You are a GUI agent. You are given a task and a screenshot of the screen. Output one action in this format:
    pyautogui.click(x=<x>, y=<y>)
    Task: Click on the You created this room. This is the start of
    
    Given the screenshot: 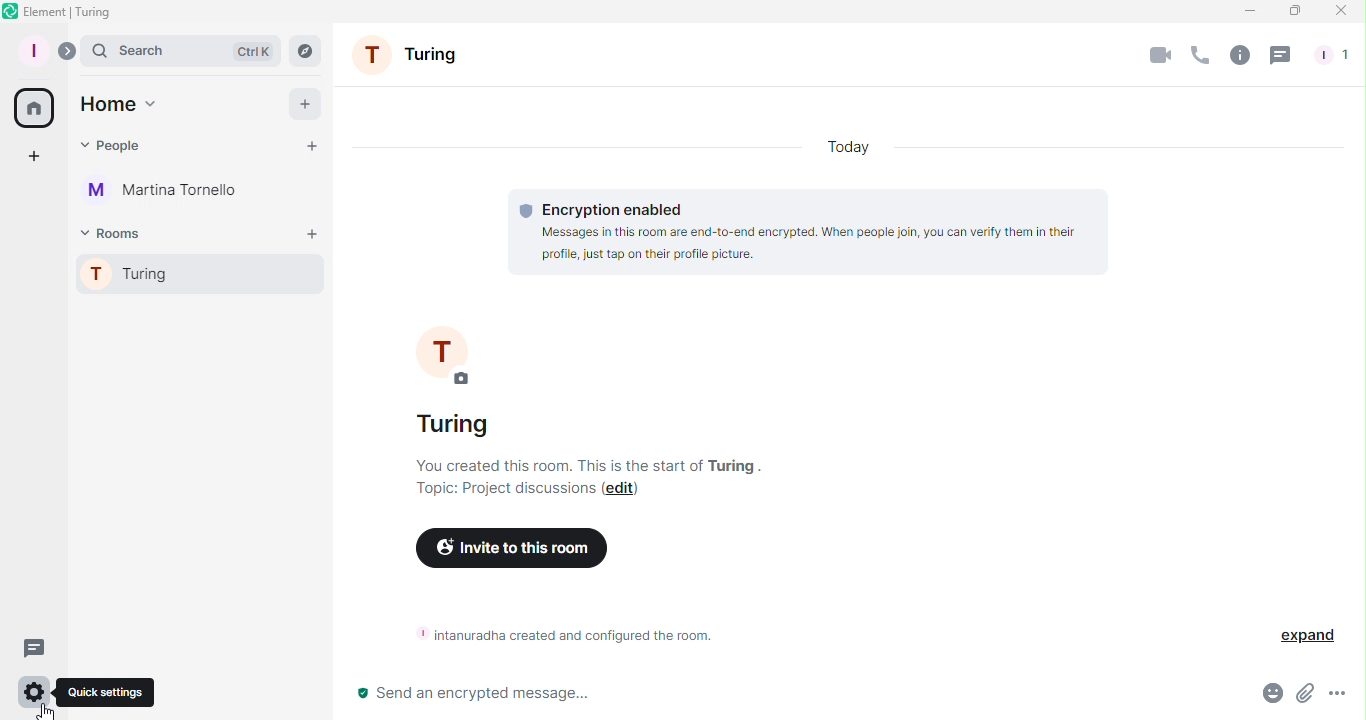 What is the action you would take?
    pyautogui.click(x=559, y=465)
    